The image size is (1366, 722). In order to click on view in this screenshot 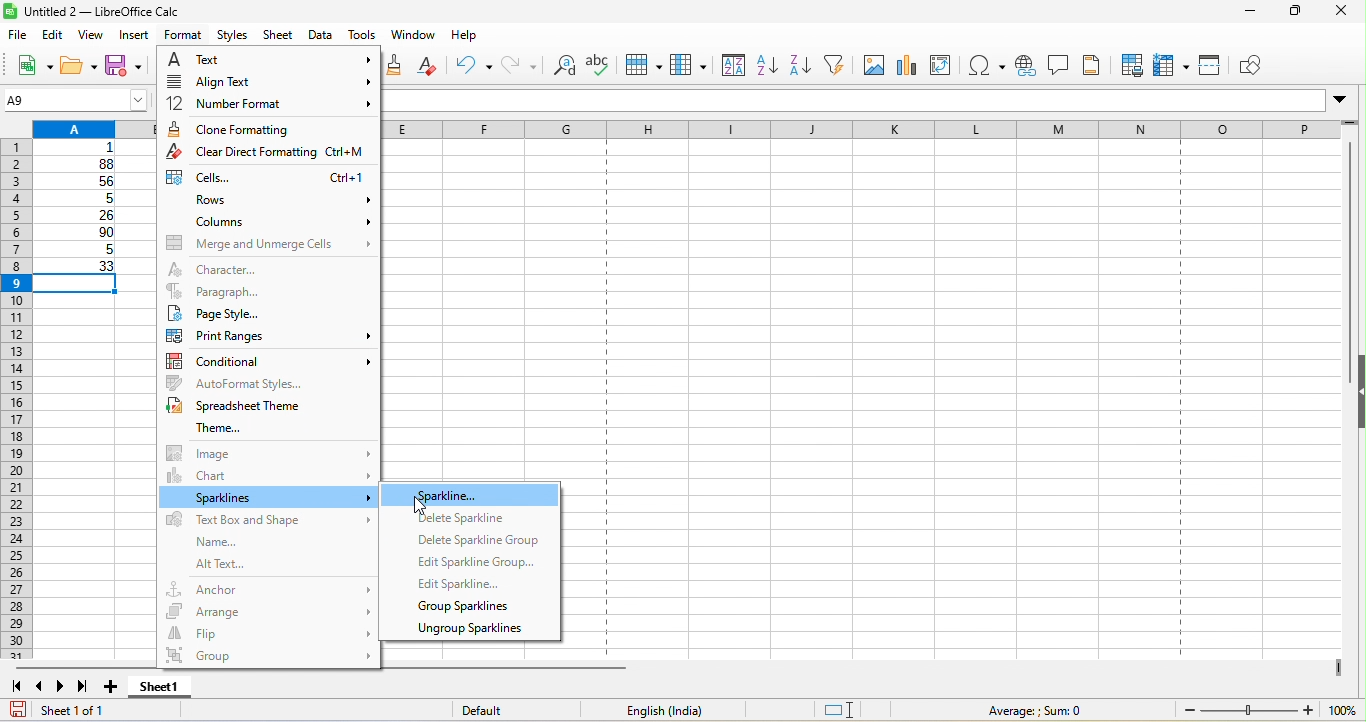, I will do `click(96, 35)`.